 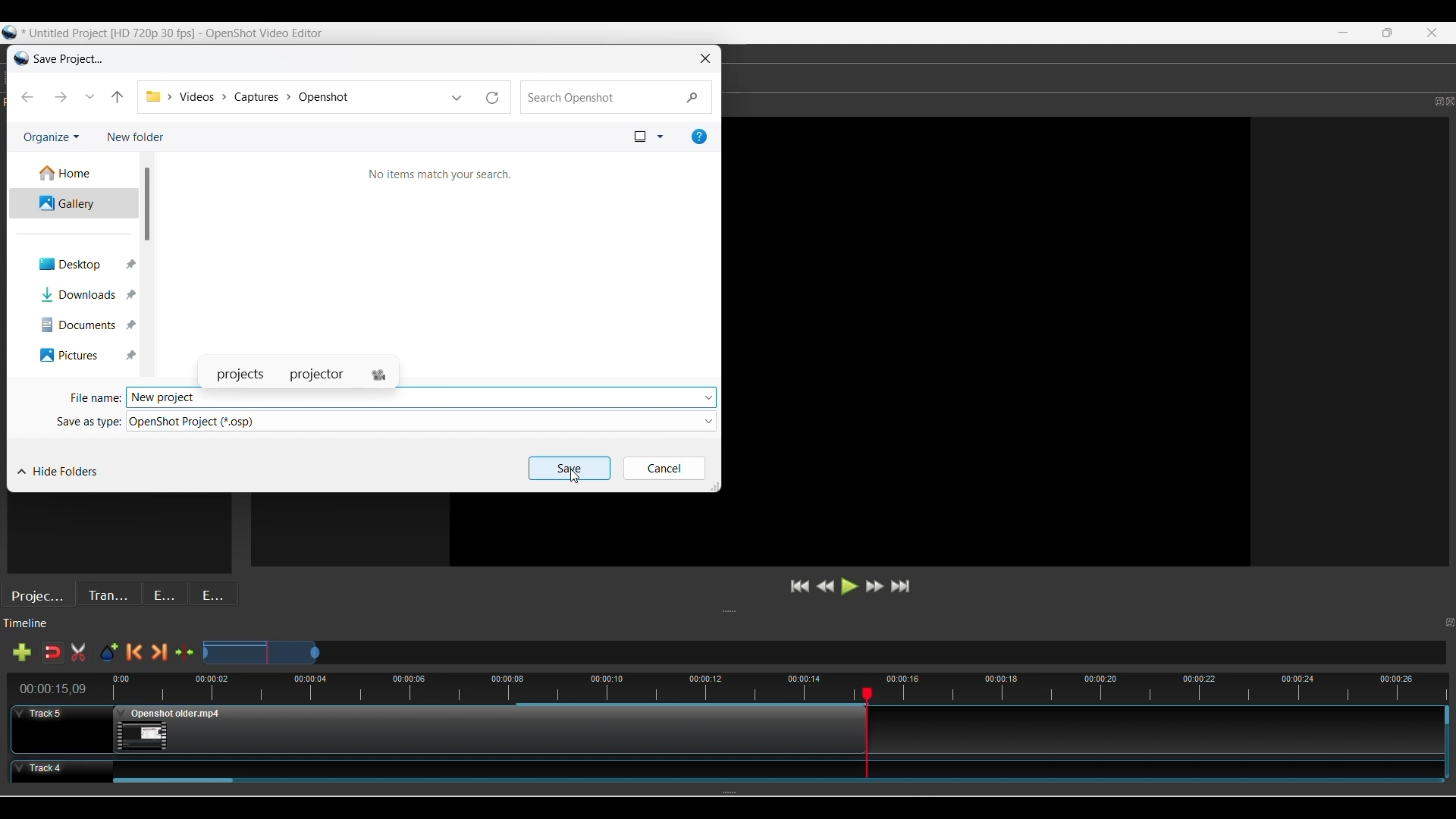 What do you see at coordinates (640, 136) in the screenshot?
I see `Selected view option` at bounding box center [640, 136].